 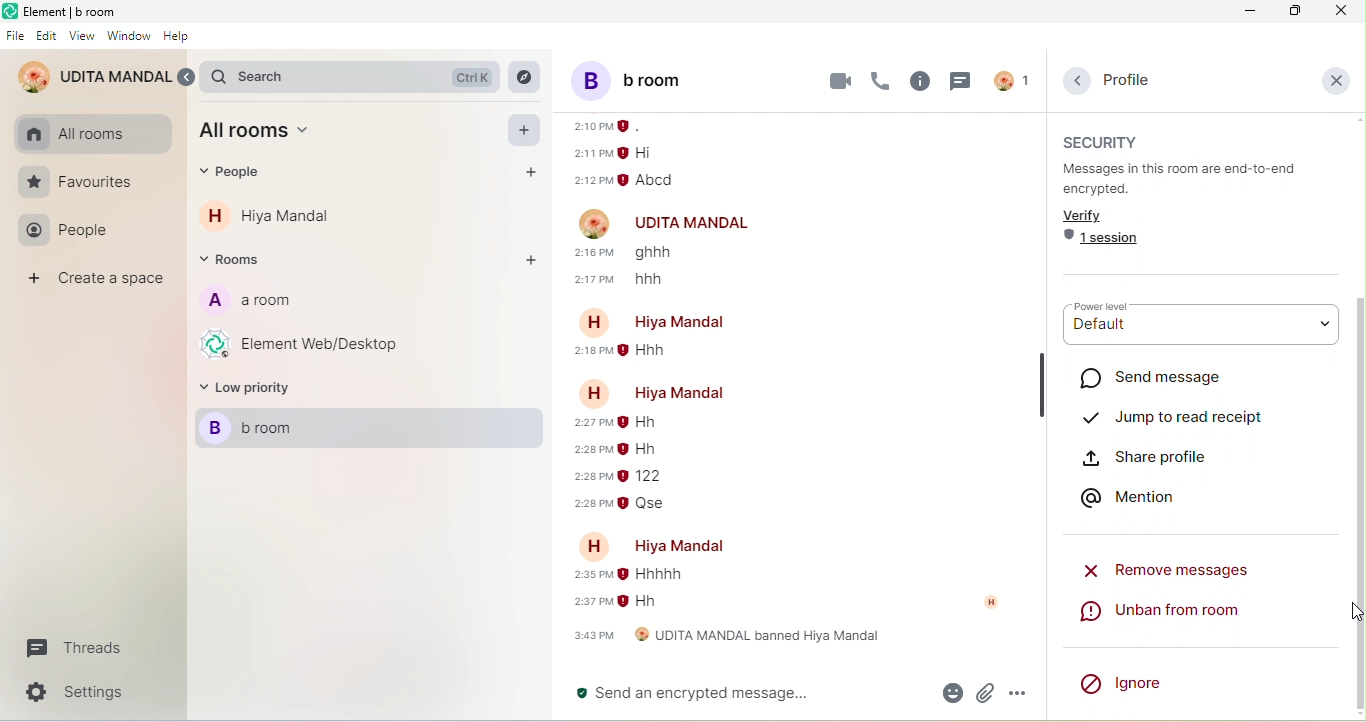 What do you see at coordinates (1169, 456) in the screenshot?
I see `share profile` at bounding box center [1169, 456].